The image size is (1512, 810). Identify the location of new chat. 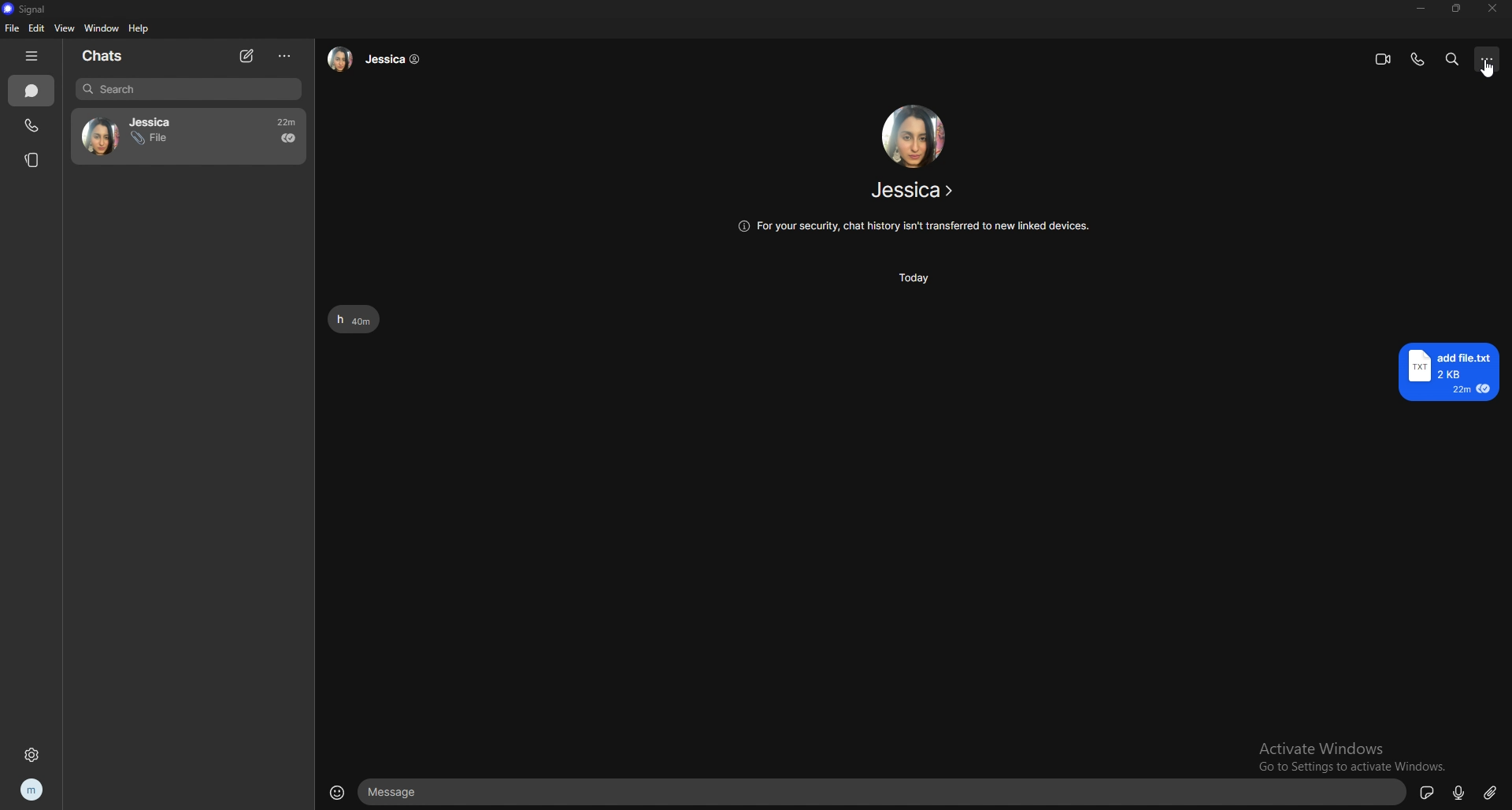
(248, 56).